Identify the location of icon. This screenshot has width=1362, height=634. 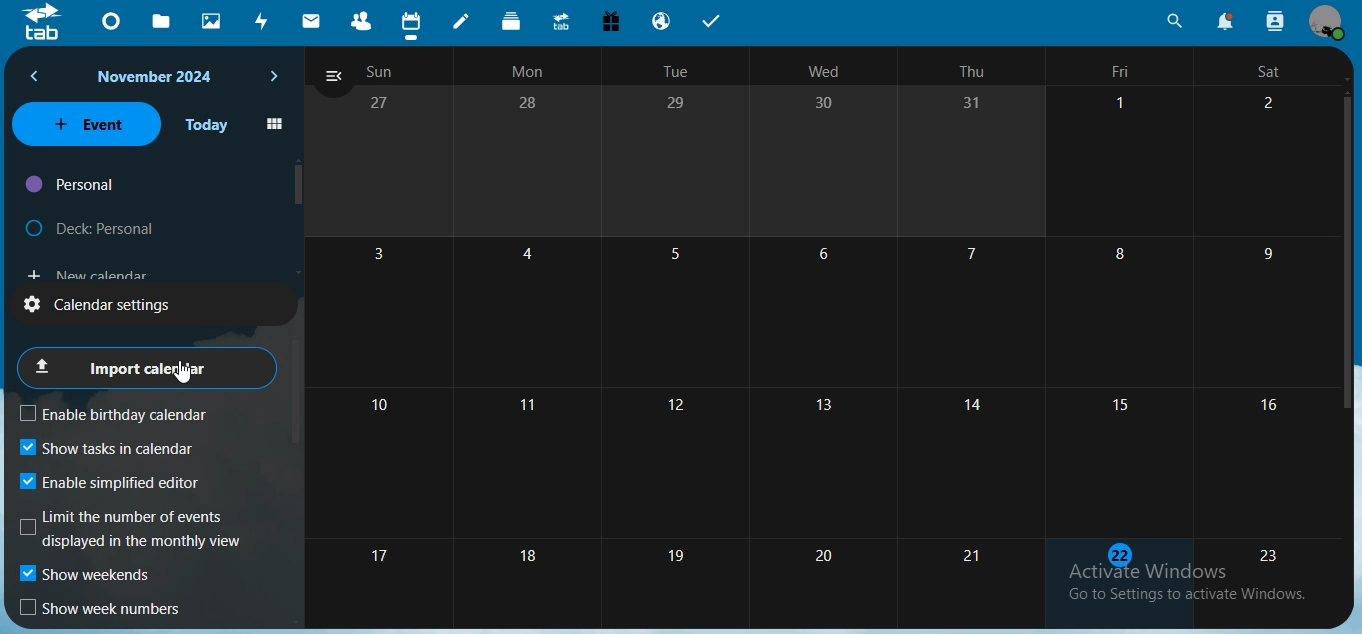
(43, 26).